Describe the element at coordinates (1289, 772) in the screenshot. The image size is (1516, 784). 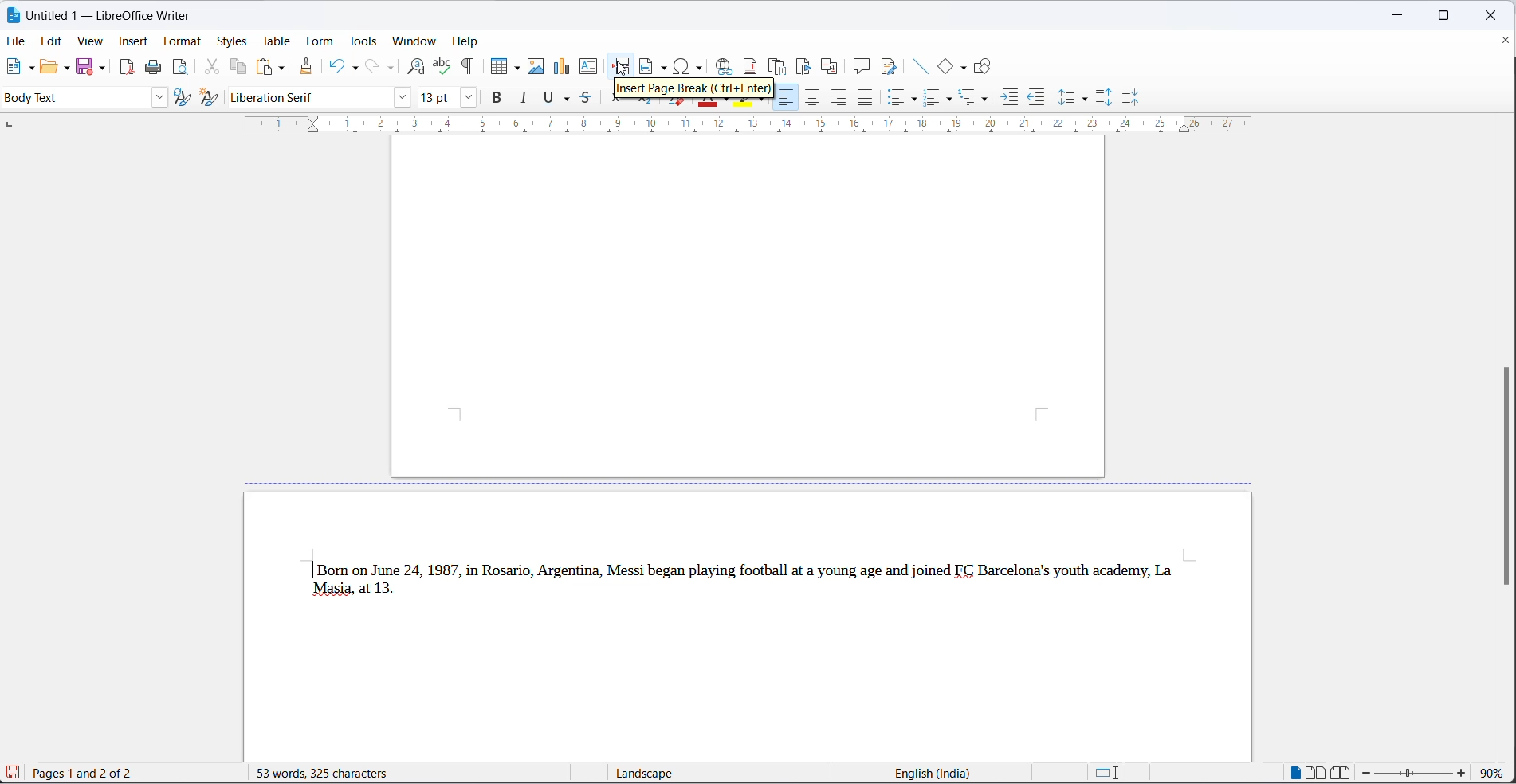
I see `single page view` at that location.